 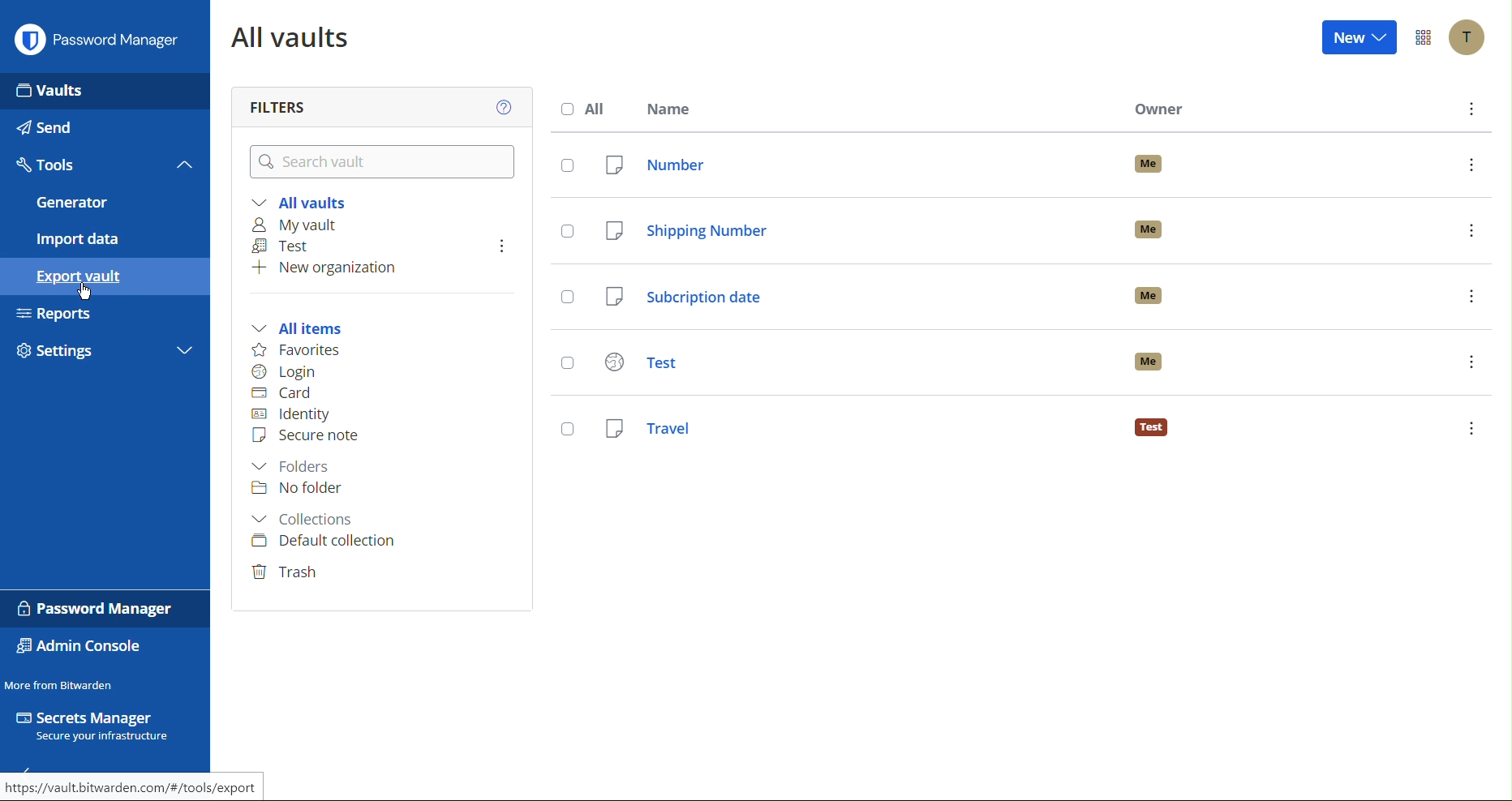 I want to click on Tools, so click(x=105, y=168).